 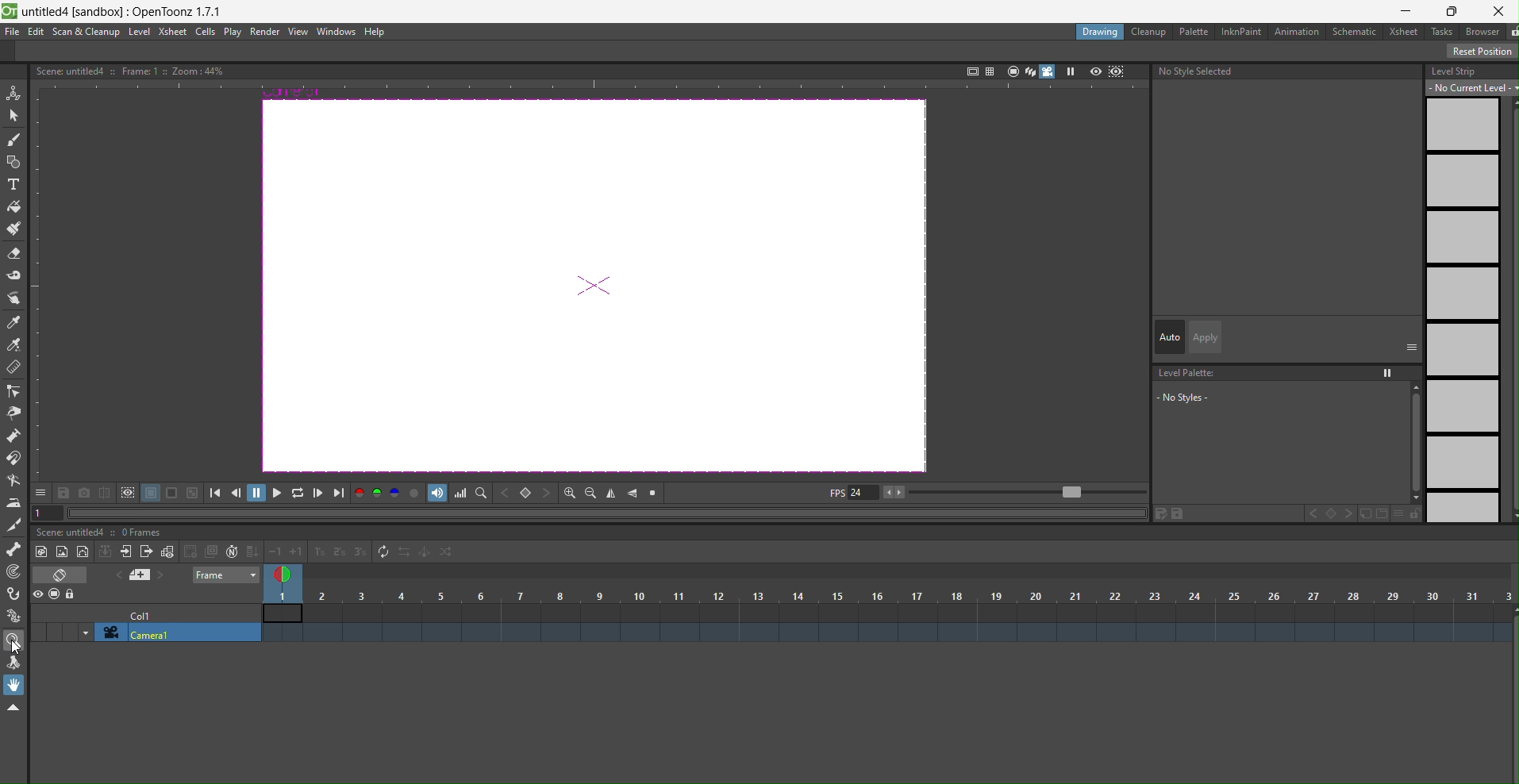 What do you see at coordinates (17, 480) in the screenshot?
I see `bender tool` at bounding box center [17, 480].